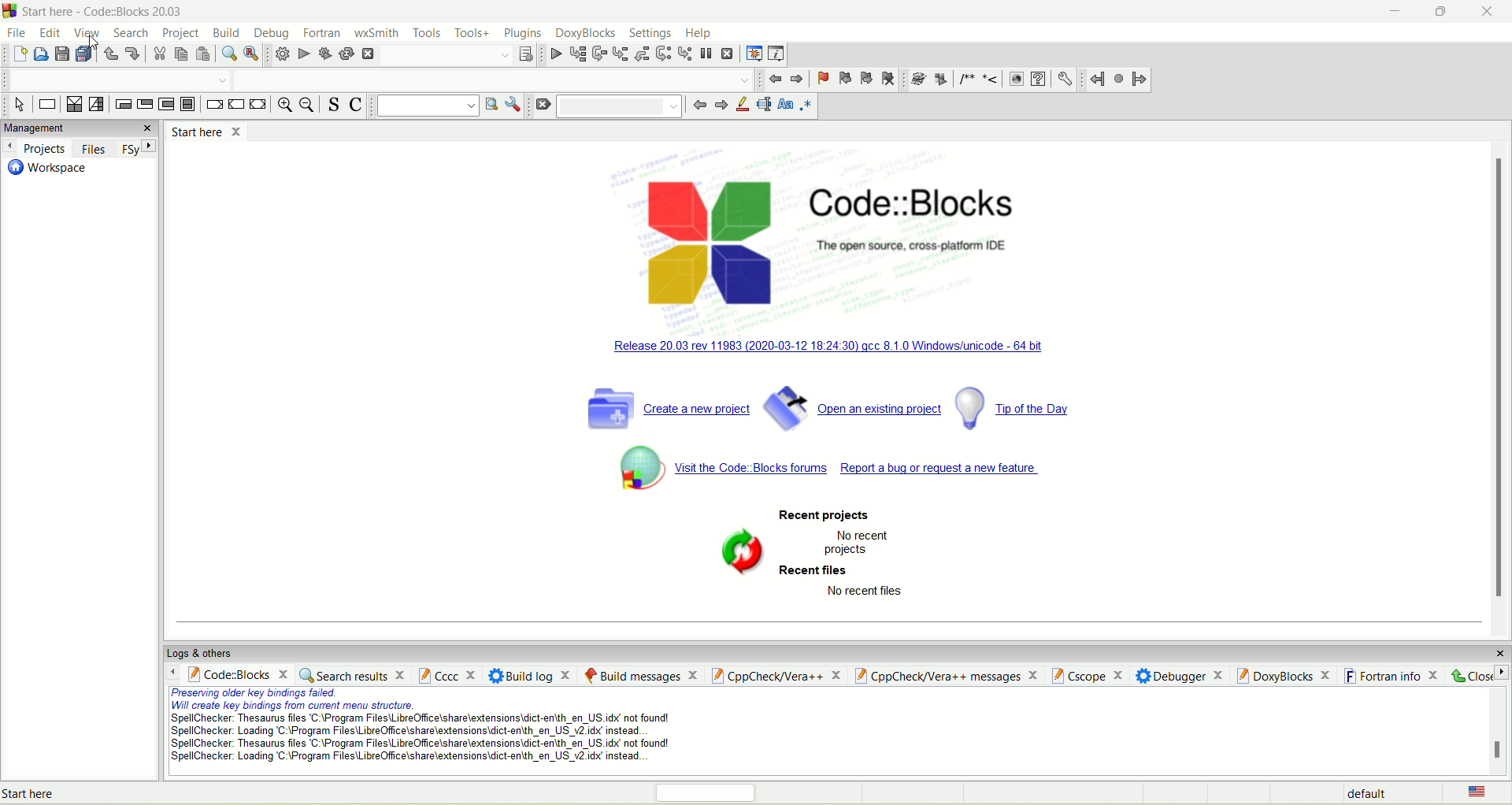  What do you see at coordinates (641, 53) in the screenshot?
I see `step out` at bounding box center [641, 53].